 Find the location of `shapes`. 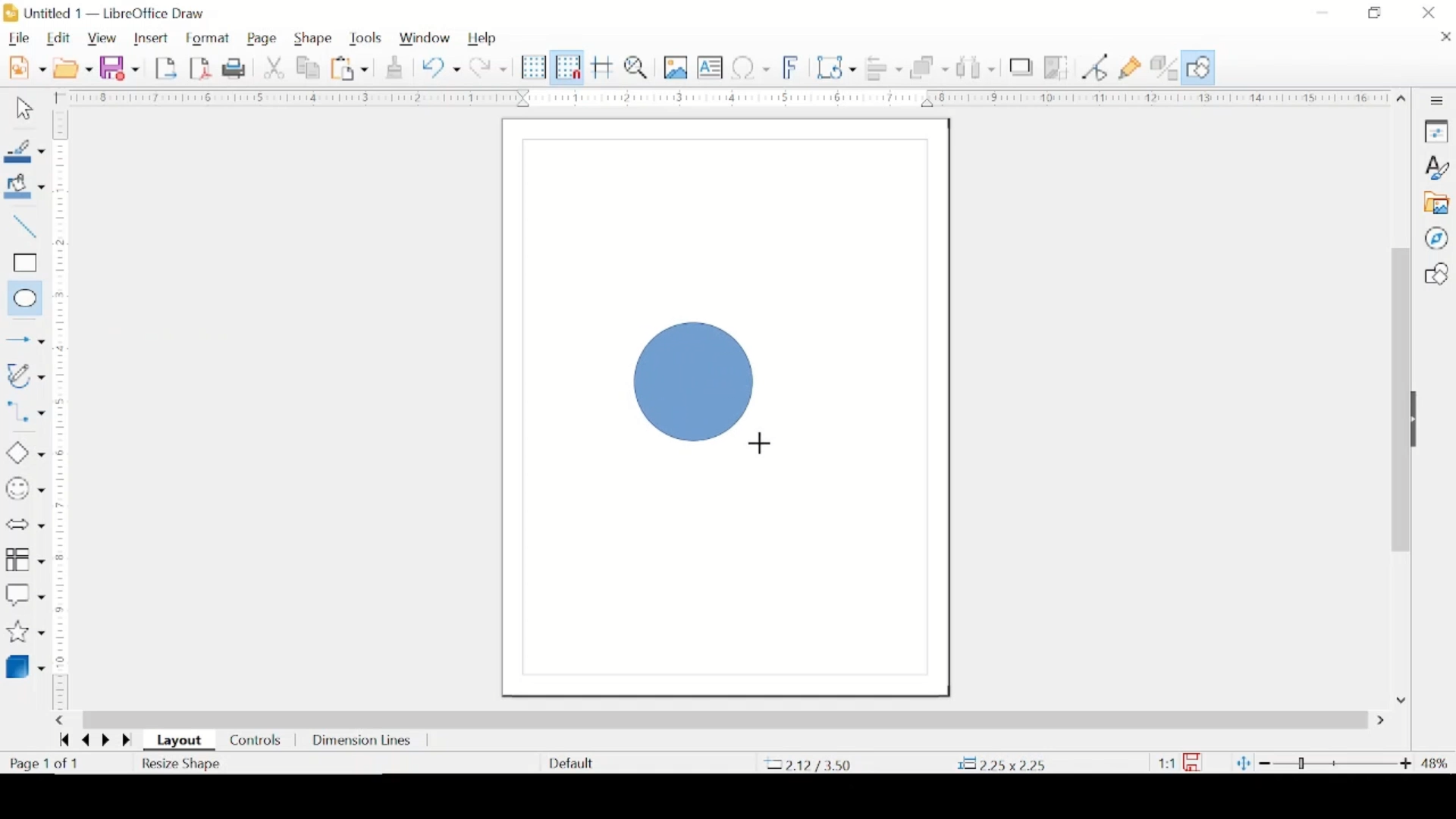

shapes is located at coordinates (1436, 274).